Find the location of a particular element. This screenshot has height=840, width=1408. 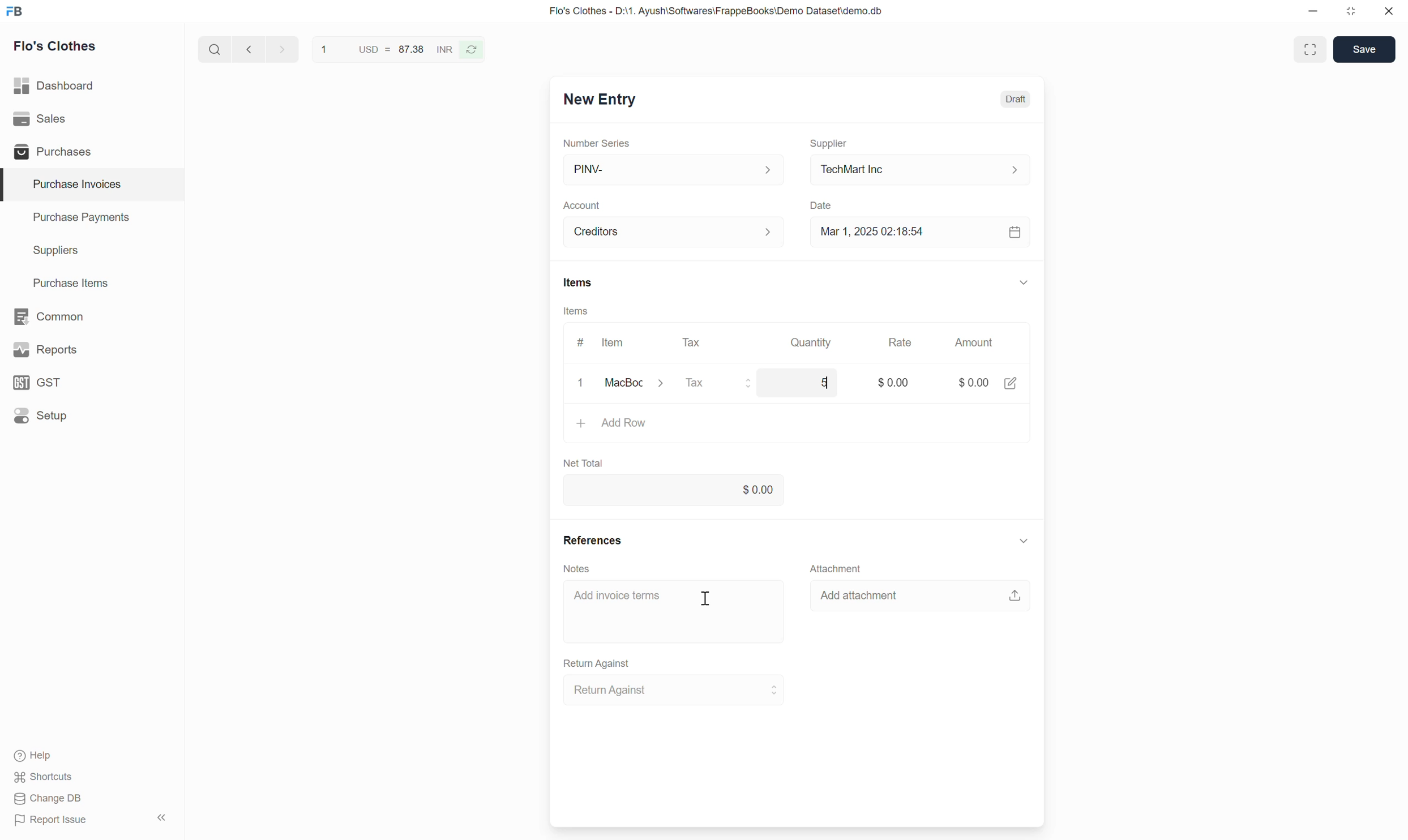

Tax is located at coordinates (724, 384).